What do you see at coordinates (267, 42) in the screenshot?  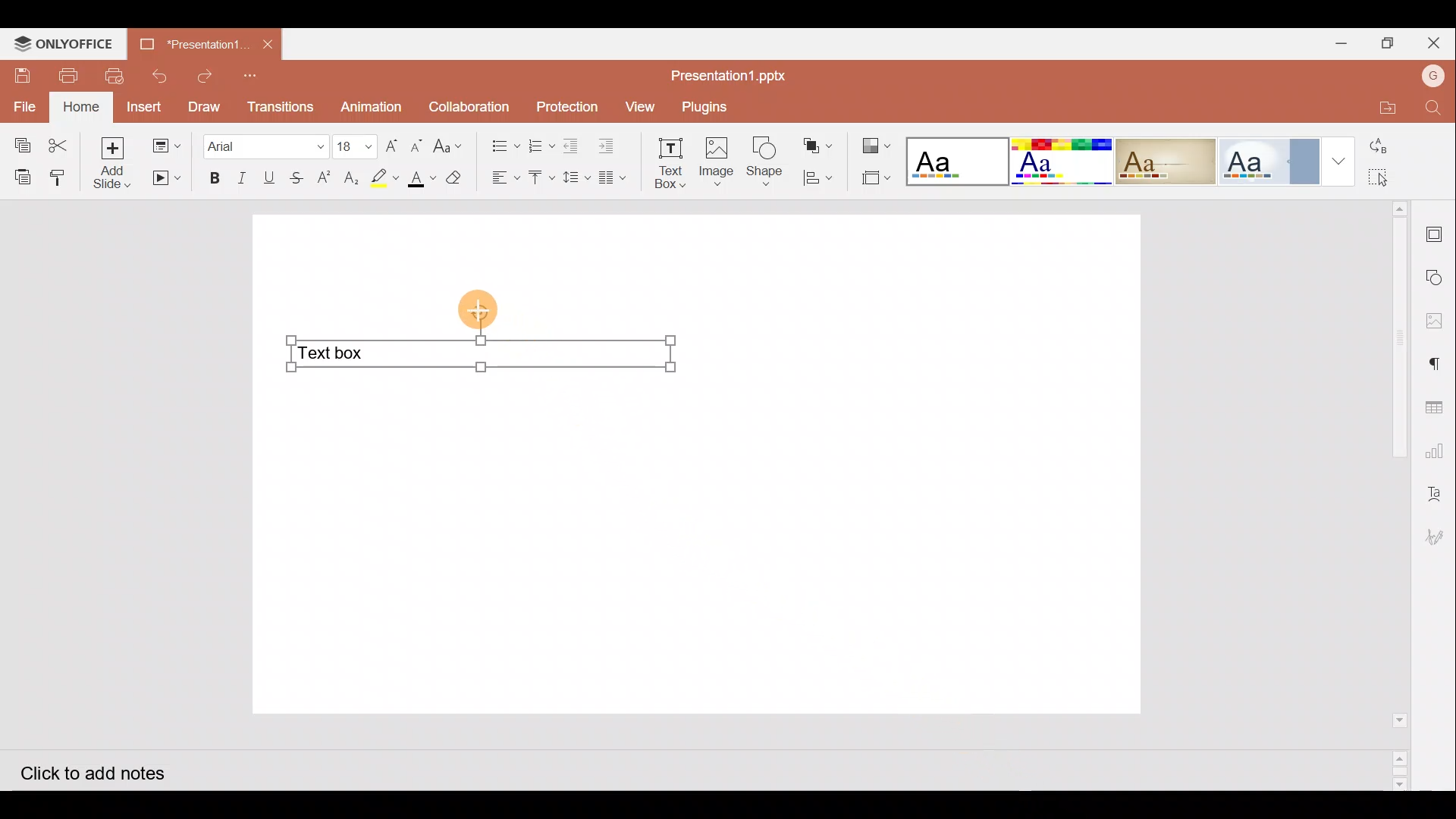 I see `Close document` at bounding box center [267, 42].